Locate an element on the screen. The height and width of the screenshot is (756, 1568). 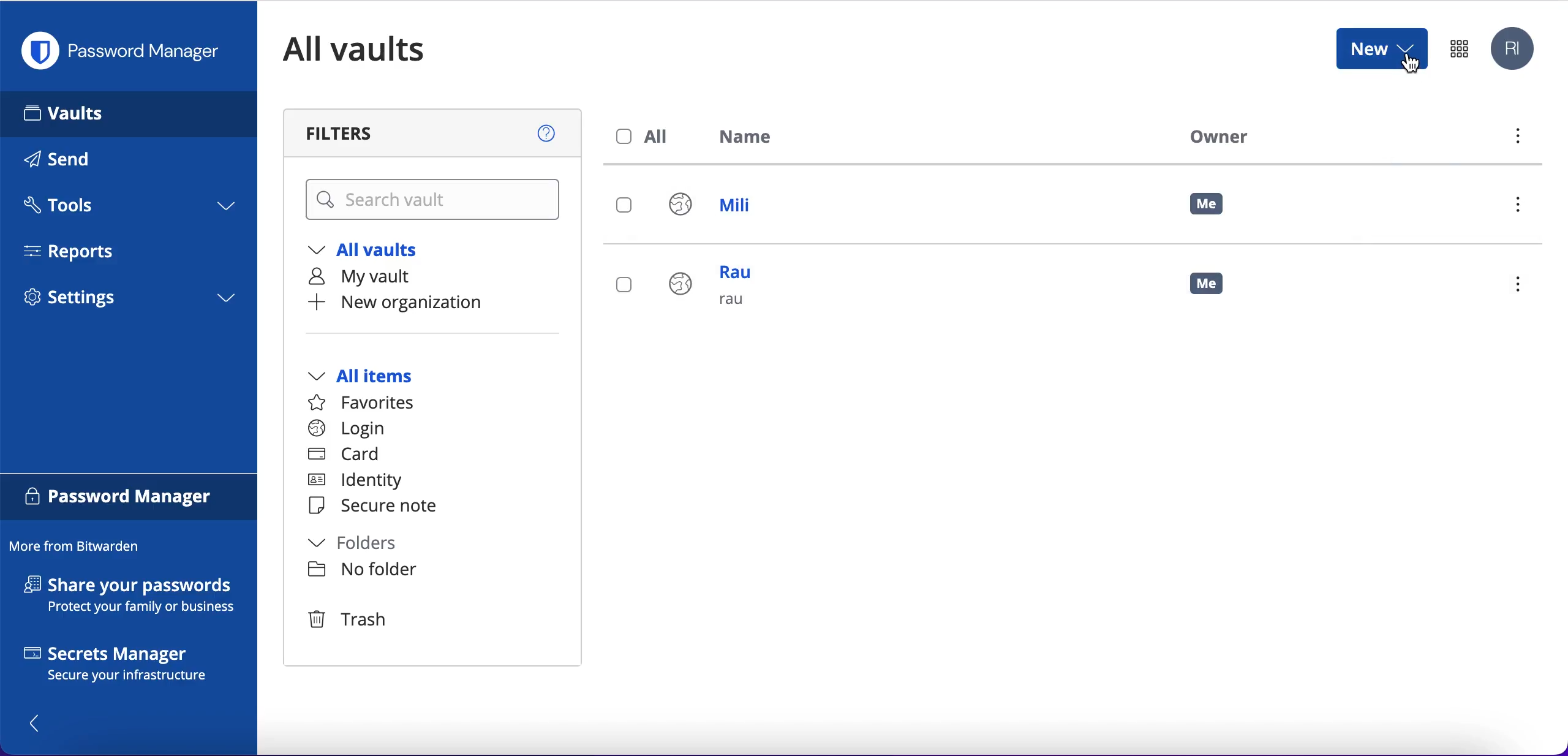
login is located at coordinates (347, 429).